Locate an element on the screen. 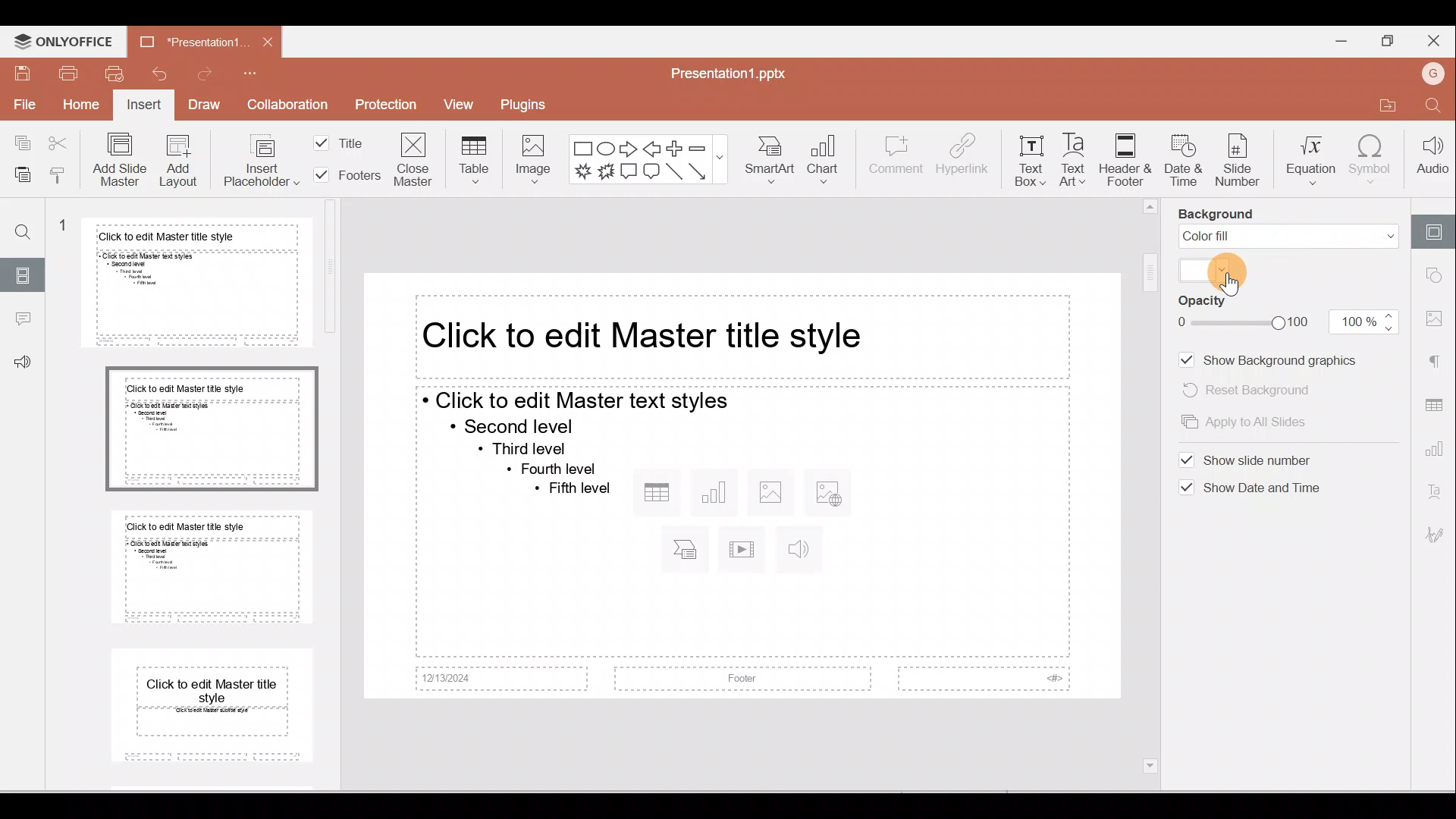 This screenshot has width=1456, height=819. Master slide 3 is located at coordinates (212, 564).